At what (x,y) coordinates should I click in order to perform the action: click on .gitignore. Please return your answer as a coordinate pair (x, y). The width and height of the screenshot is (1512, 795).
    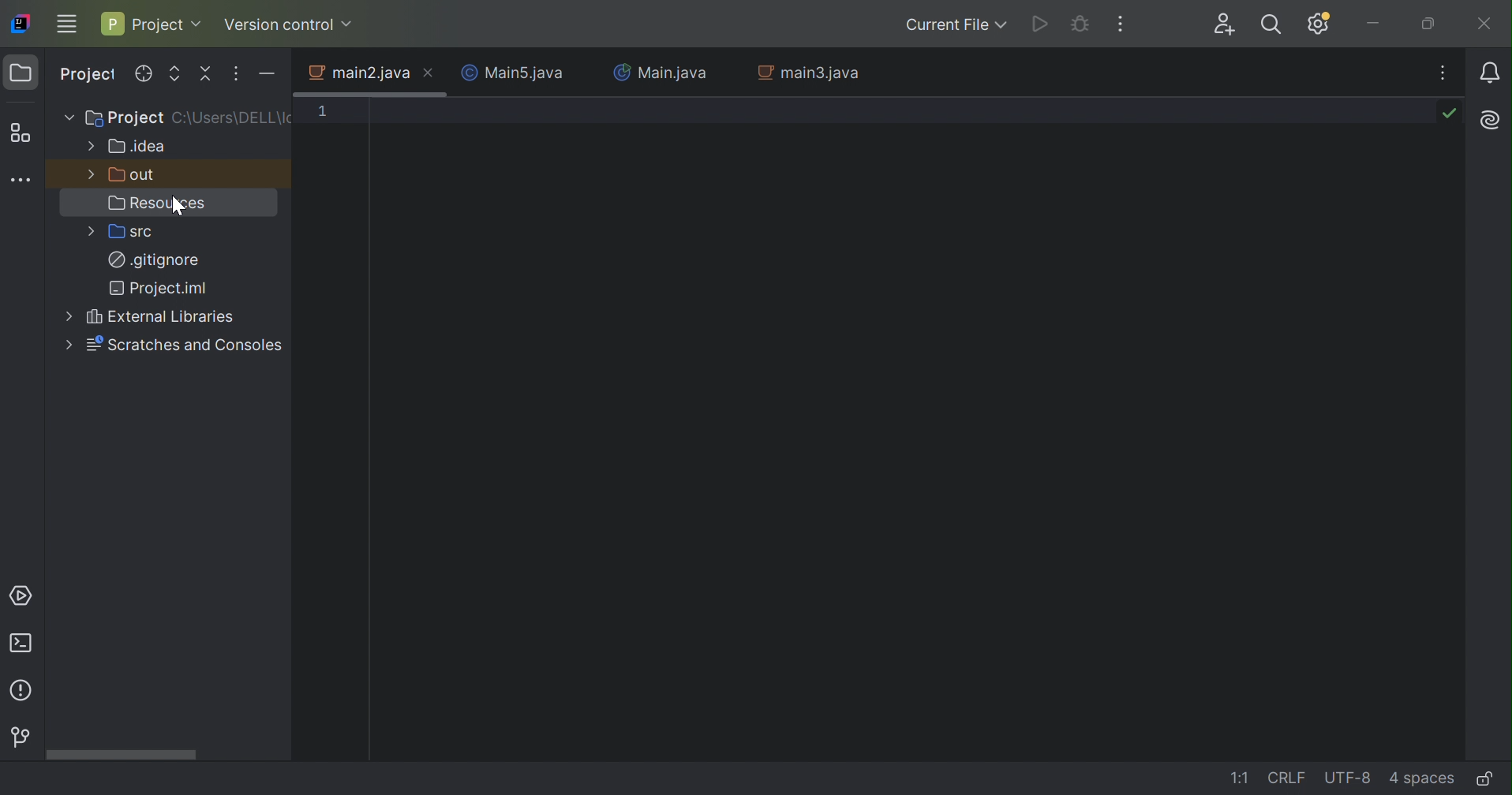
    Looking at the image, I should click on (154, 259).